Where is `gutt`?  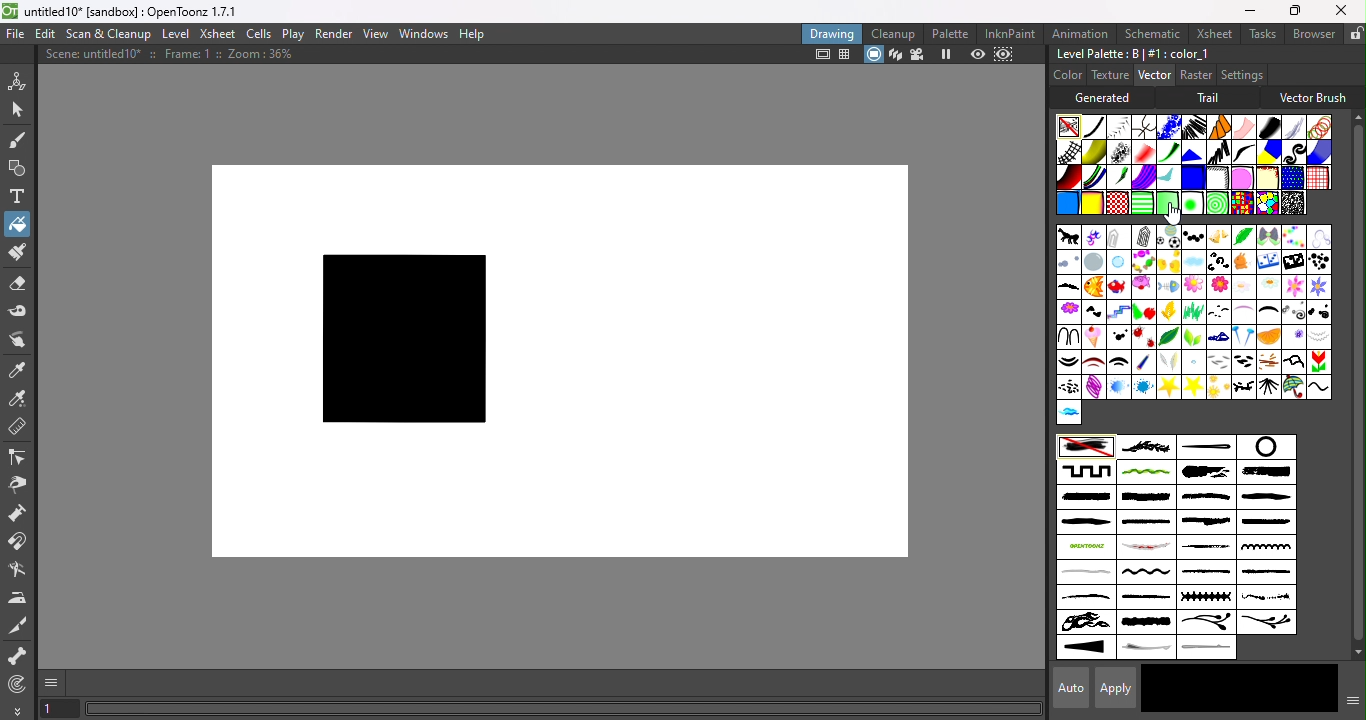
gutt is located at coordinates (1218, 311).